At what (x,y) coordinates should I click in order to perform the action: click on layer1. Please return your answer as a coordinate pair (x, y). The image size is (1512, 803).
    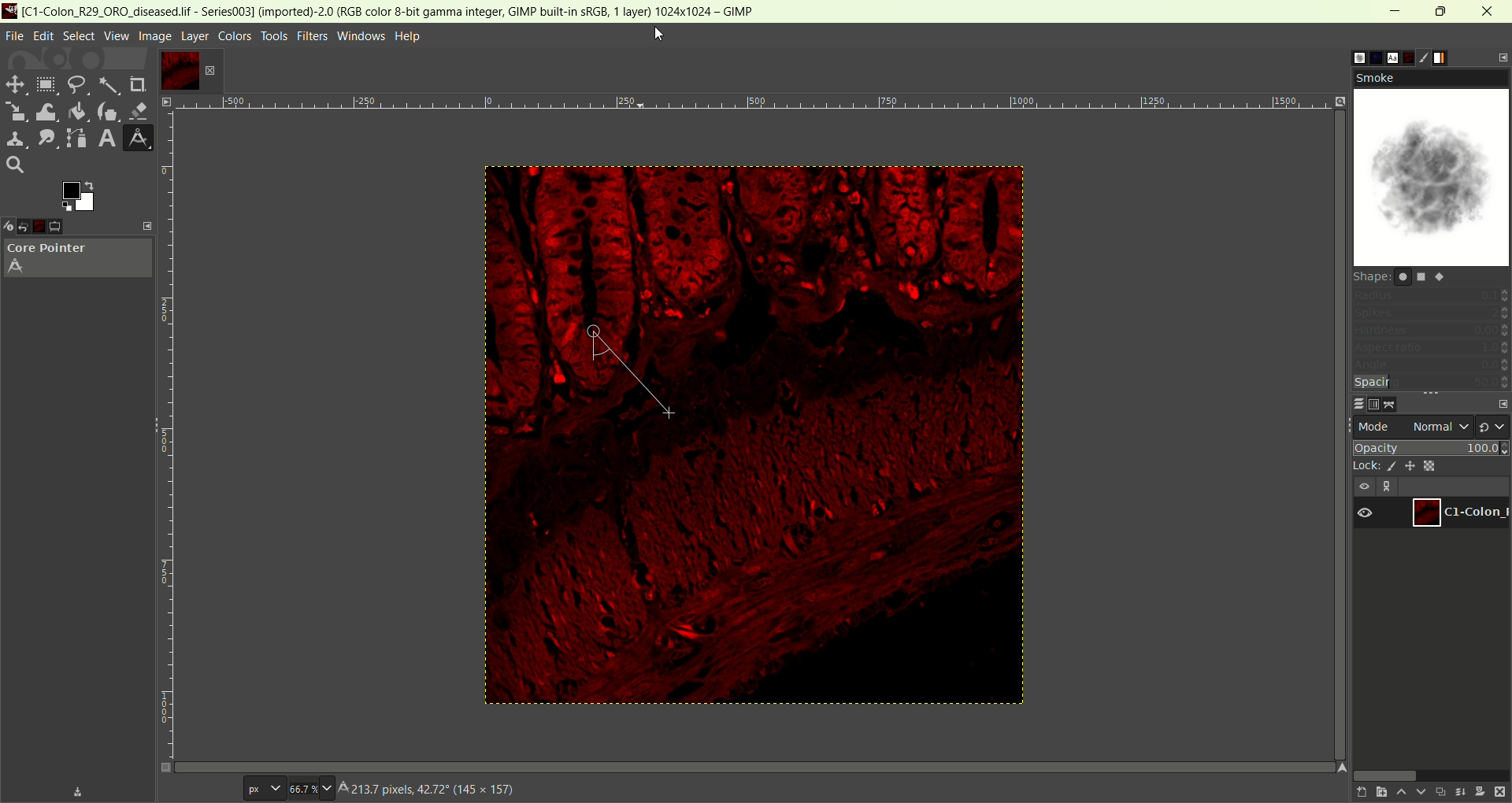
    Looking at the image, I should click on (176, 70).